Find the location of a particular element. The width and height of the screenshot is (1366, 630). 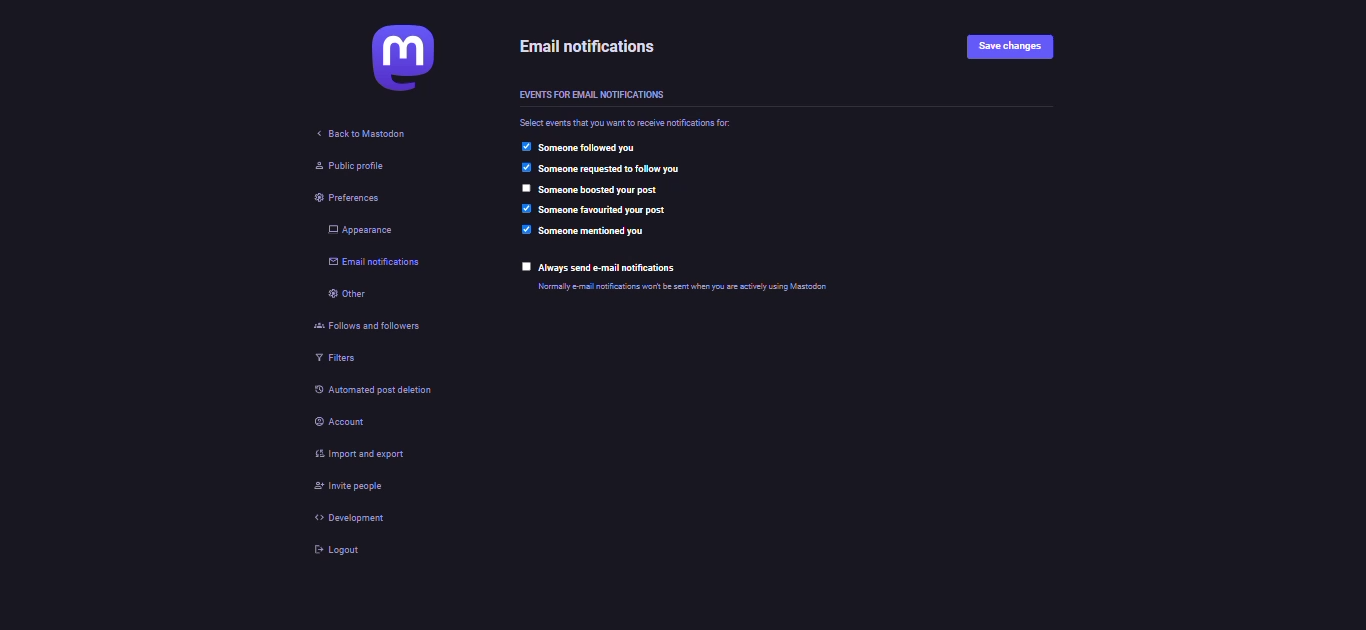

enabled is located at coordinates (527, 209).